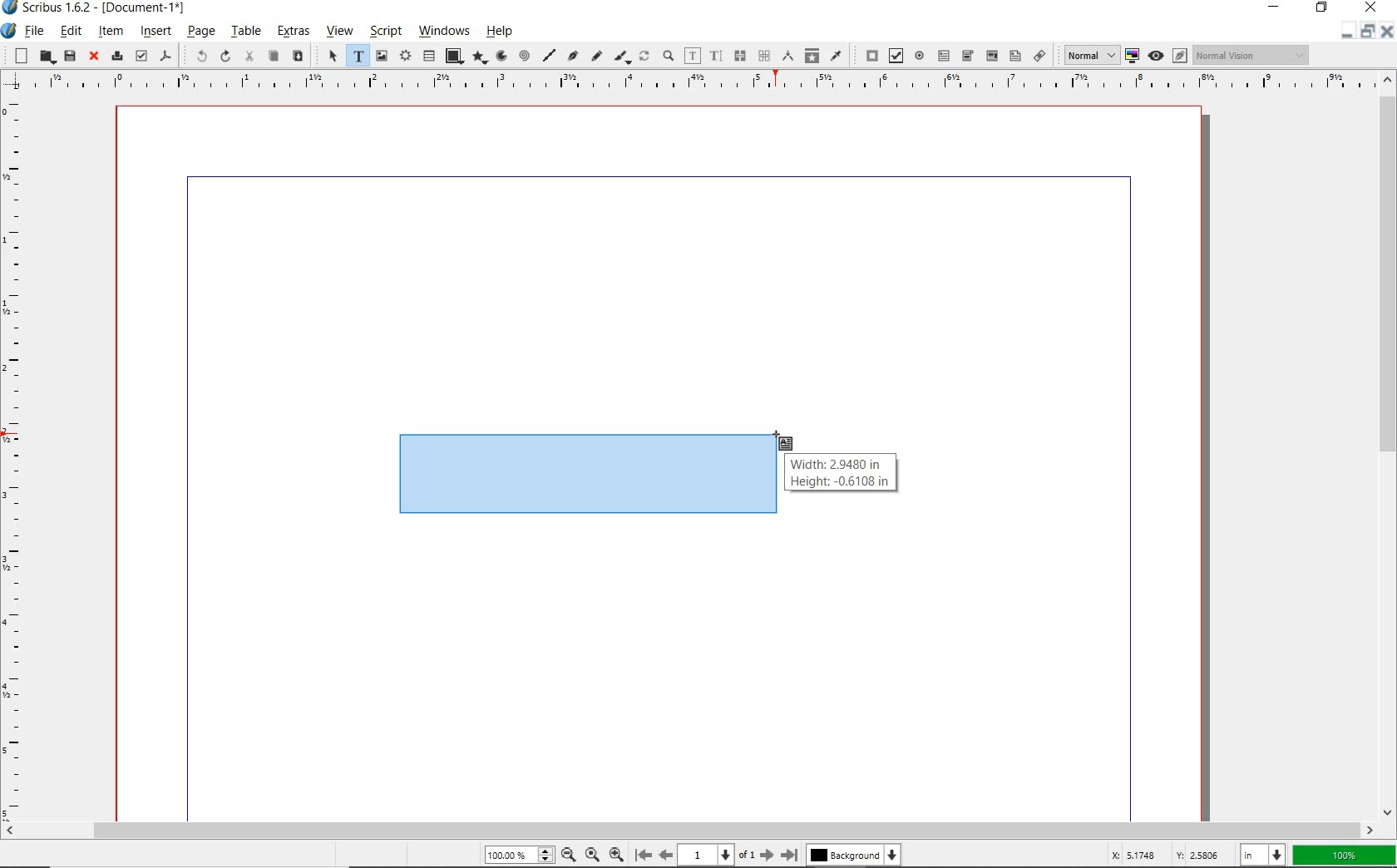  I want to click on select item, so click(331, 57).